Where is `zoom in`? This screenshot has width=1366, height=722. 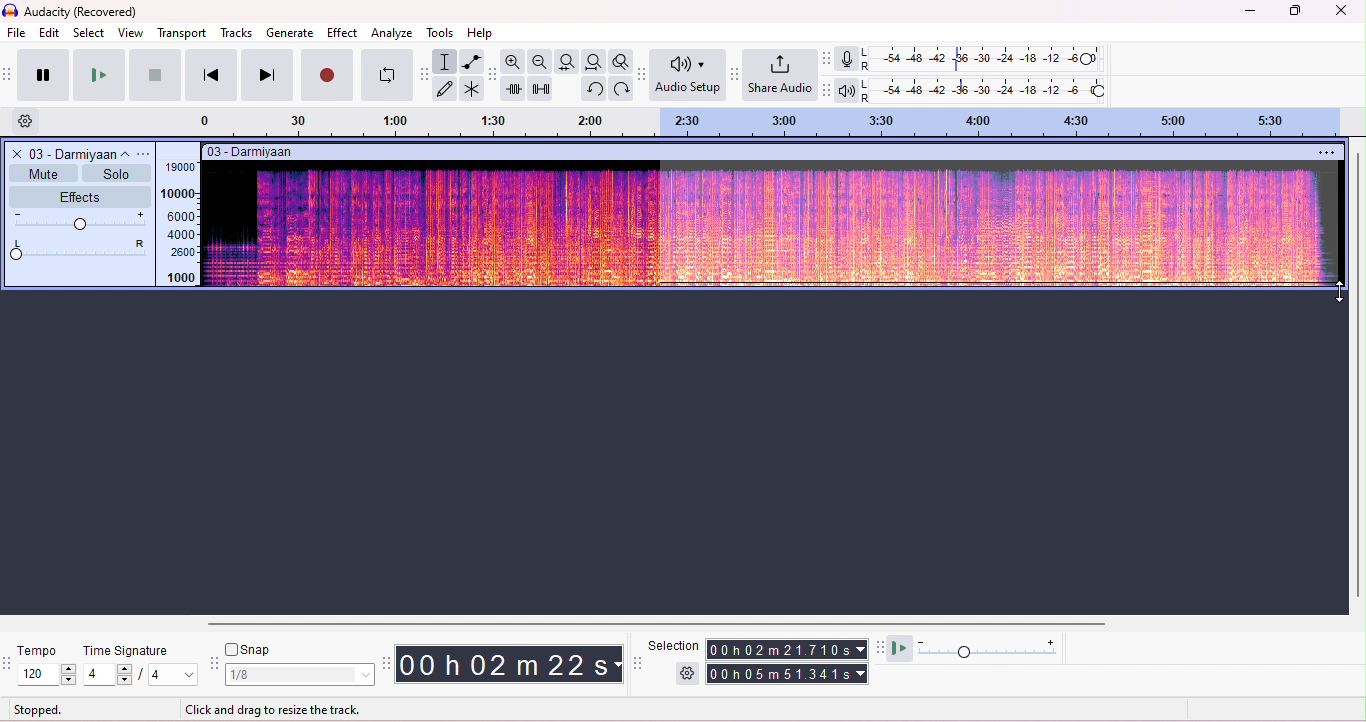 zoom in is located at coordinates (515, 62).